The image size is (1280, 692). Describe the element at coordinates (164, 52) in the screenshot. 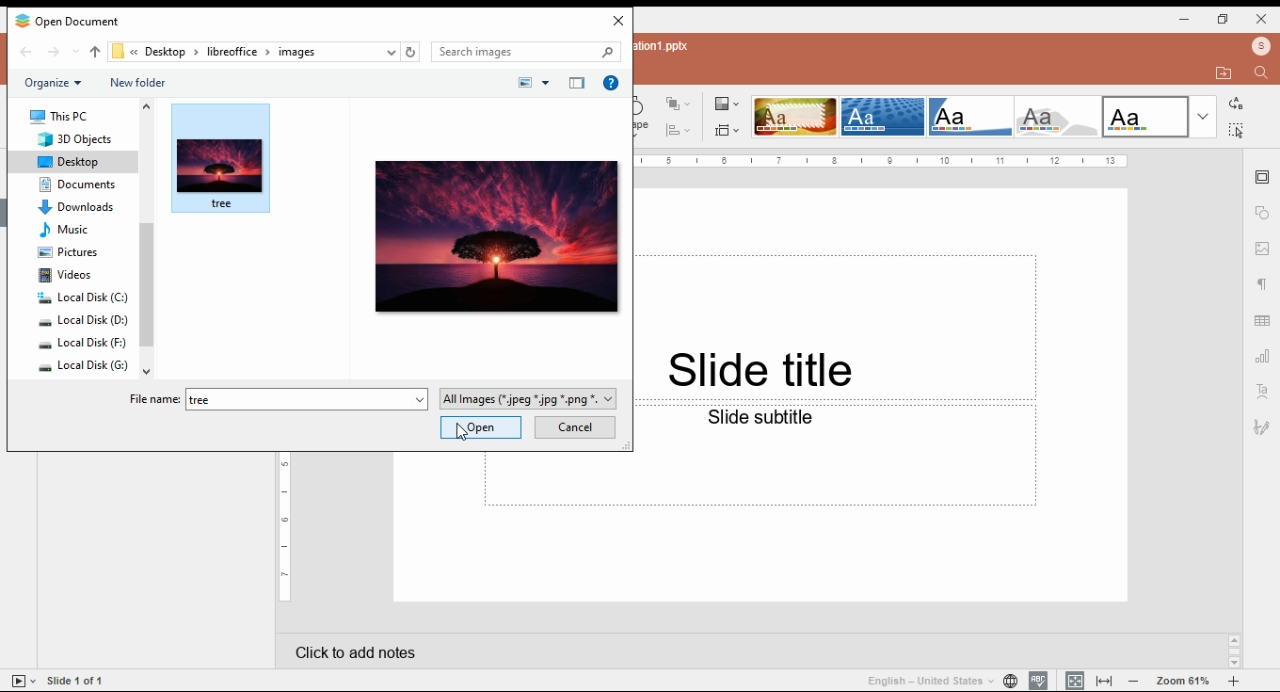

I see `desktop` at that location.